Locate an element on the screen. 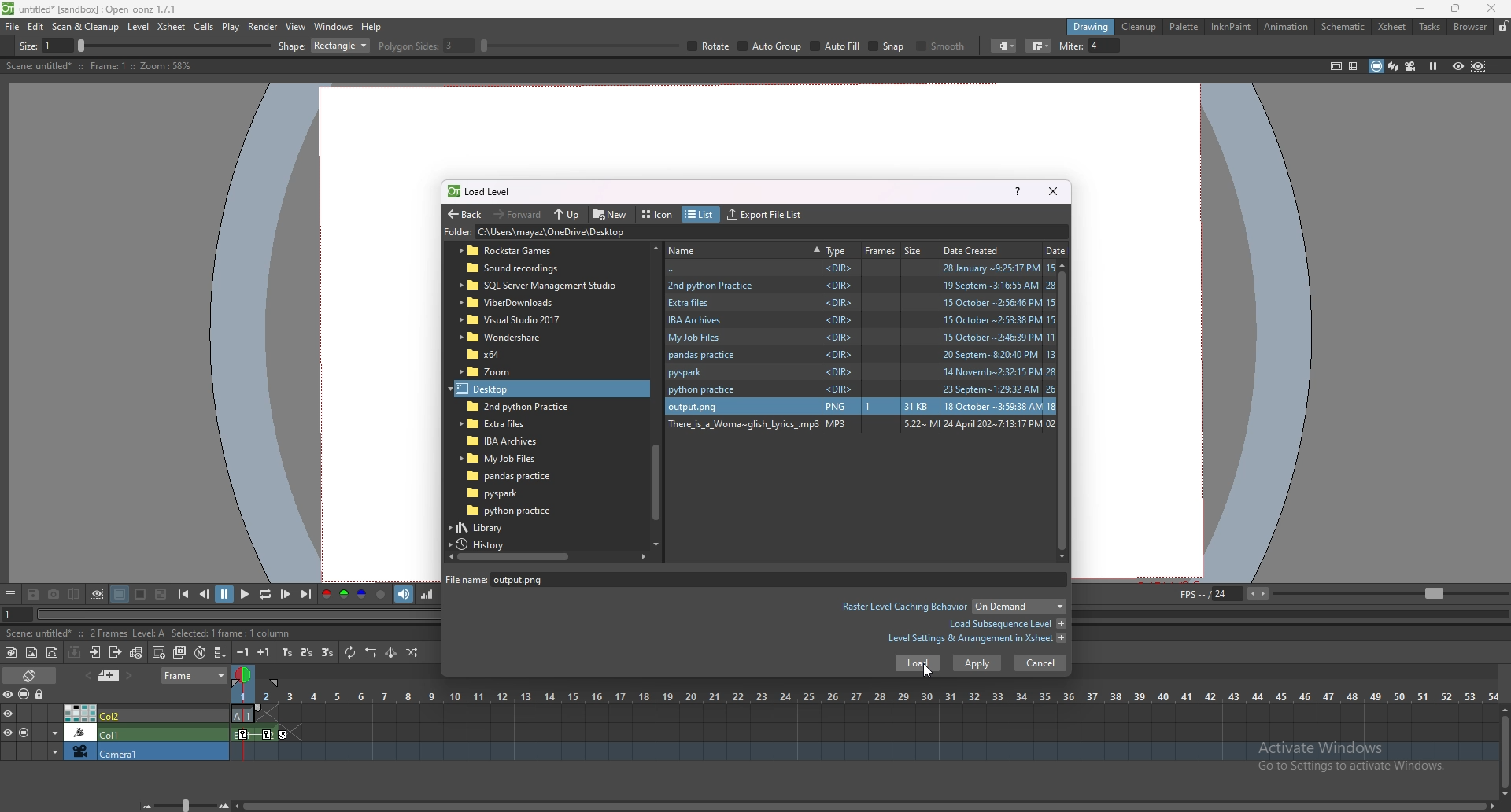 The width and height of the screenshot is (1511, 812). repeat is located at coordinates (349, 652).